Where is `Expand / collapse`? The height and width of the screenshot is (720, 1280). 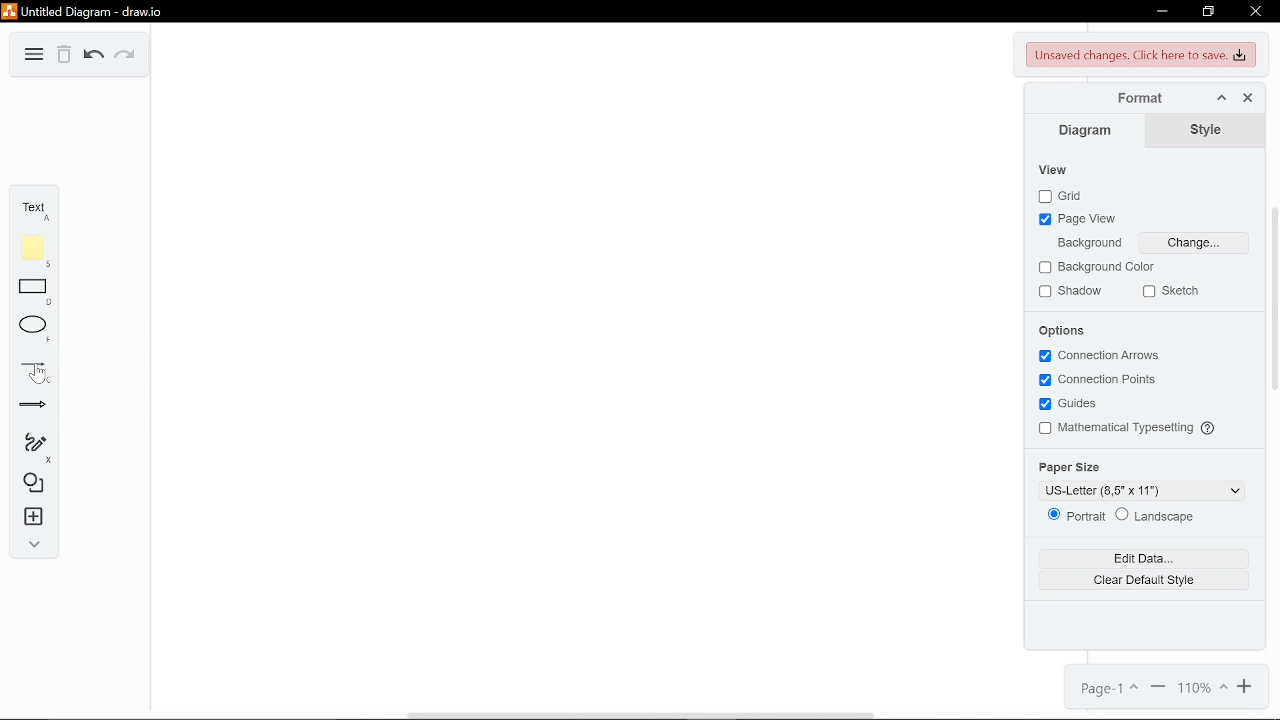
Expand / collapse is located at coordinates (34, 542).